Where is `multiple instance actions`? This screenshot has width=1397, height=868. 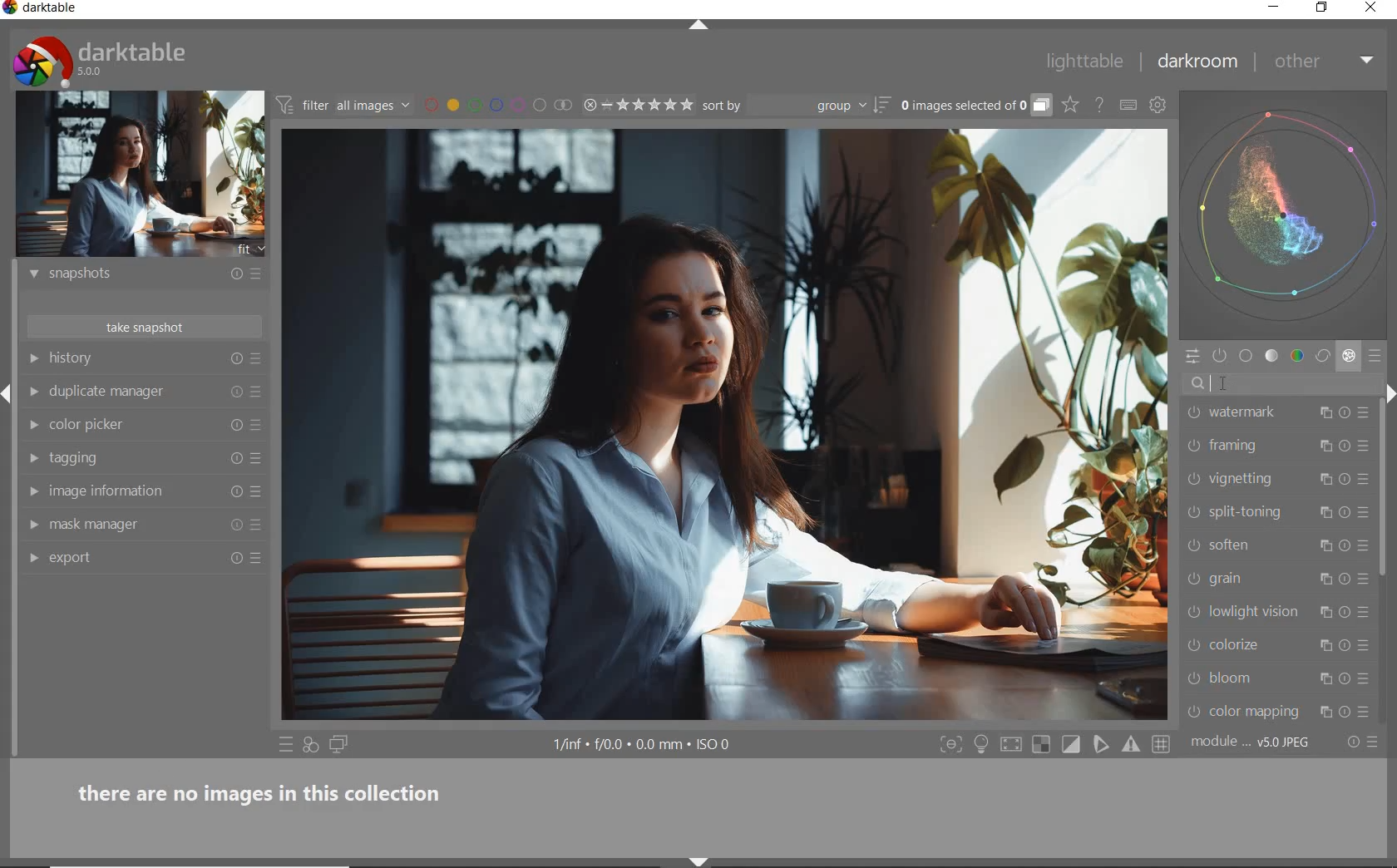 multiple instance actions is located at coordinates (1324, 479).